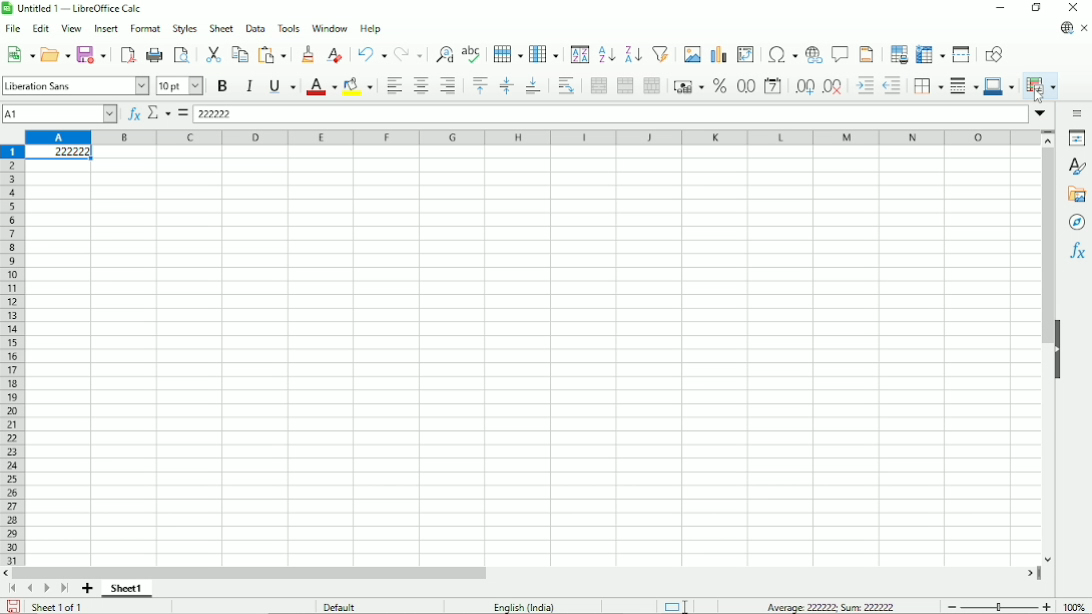  Describe the element at coordinates (994, 53) in the screenshot. I see `Show draw functions` at that location.